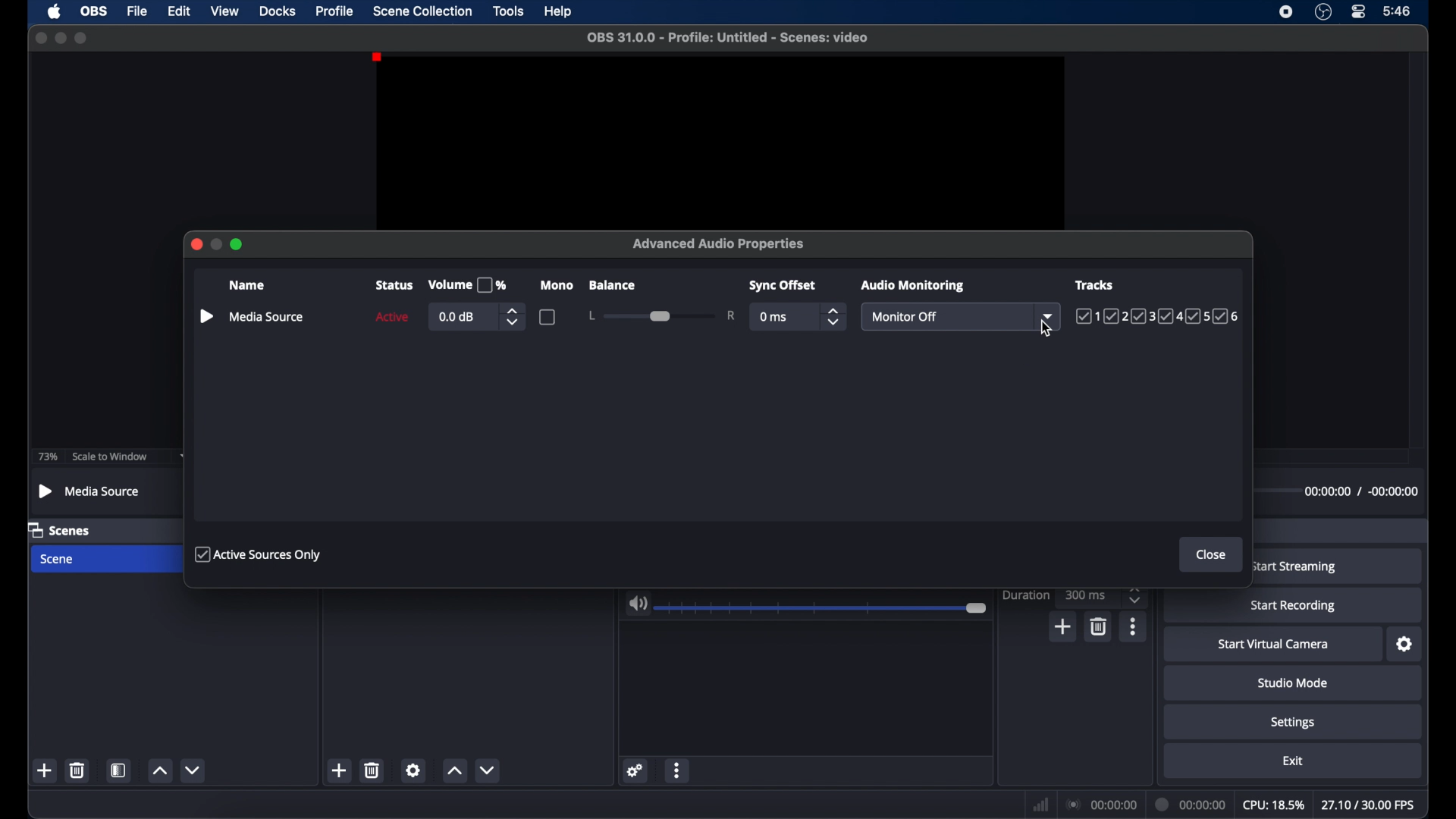 The image size is (1456, 819). Describe the element at coordinates (611, 285) in the screenshot. I see `balance` at that location.